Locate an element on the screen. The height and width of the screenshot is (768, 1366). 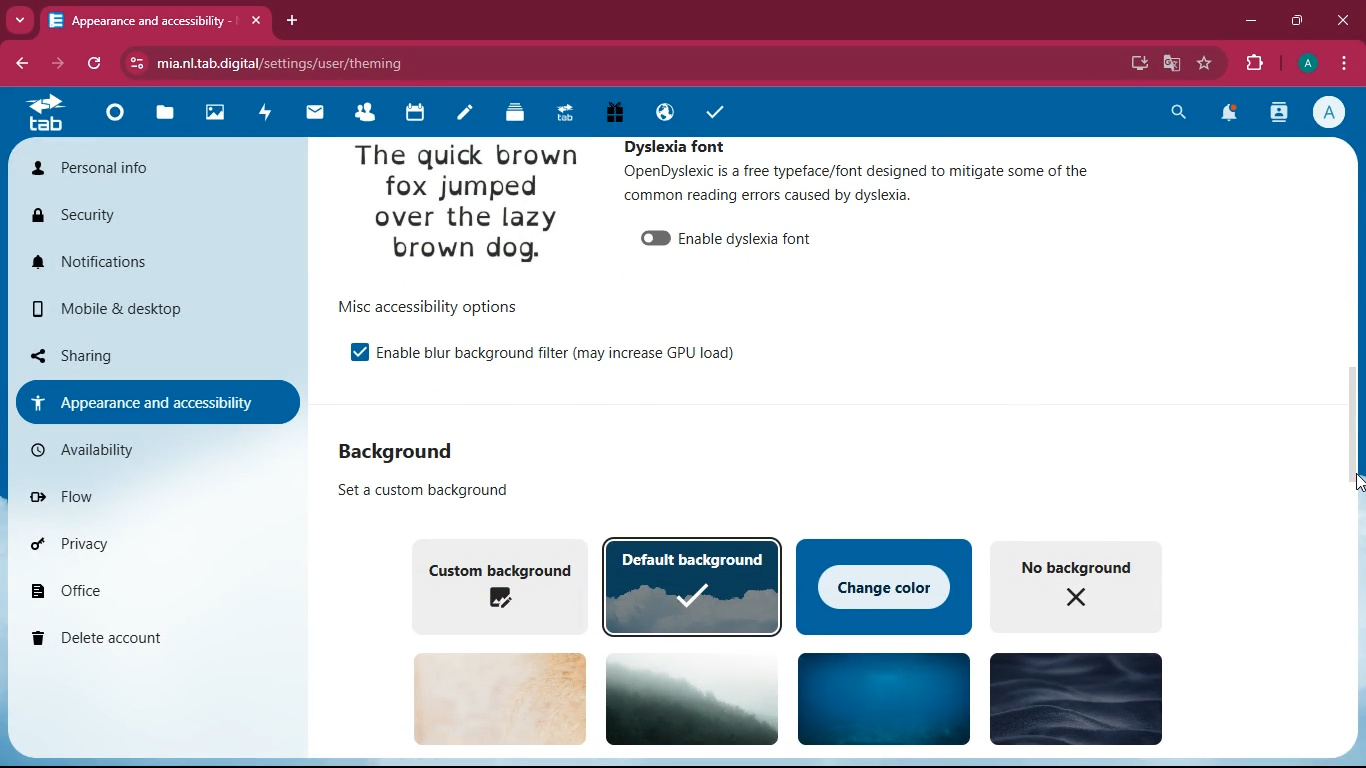
profile is located at coordinates (1333, 112).